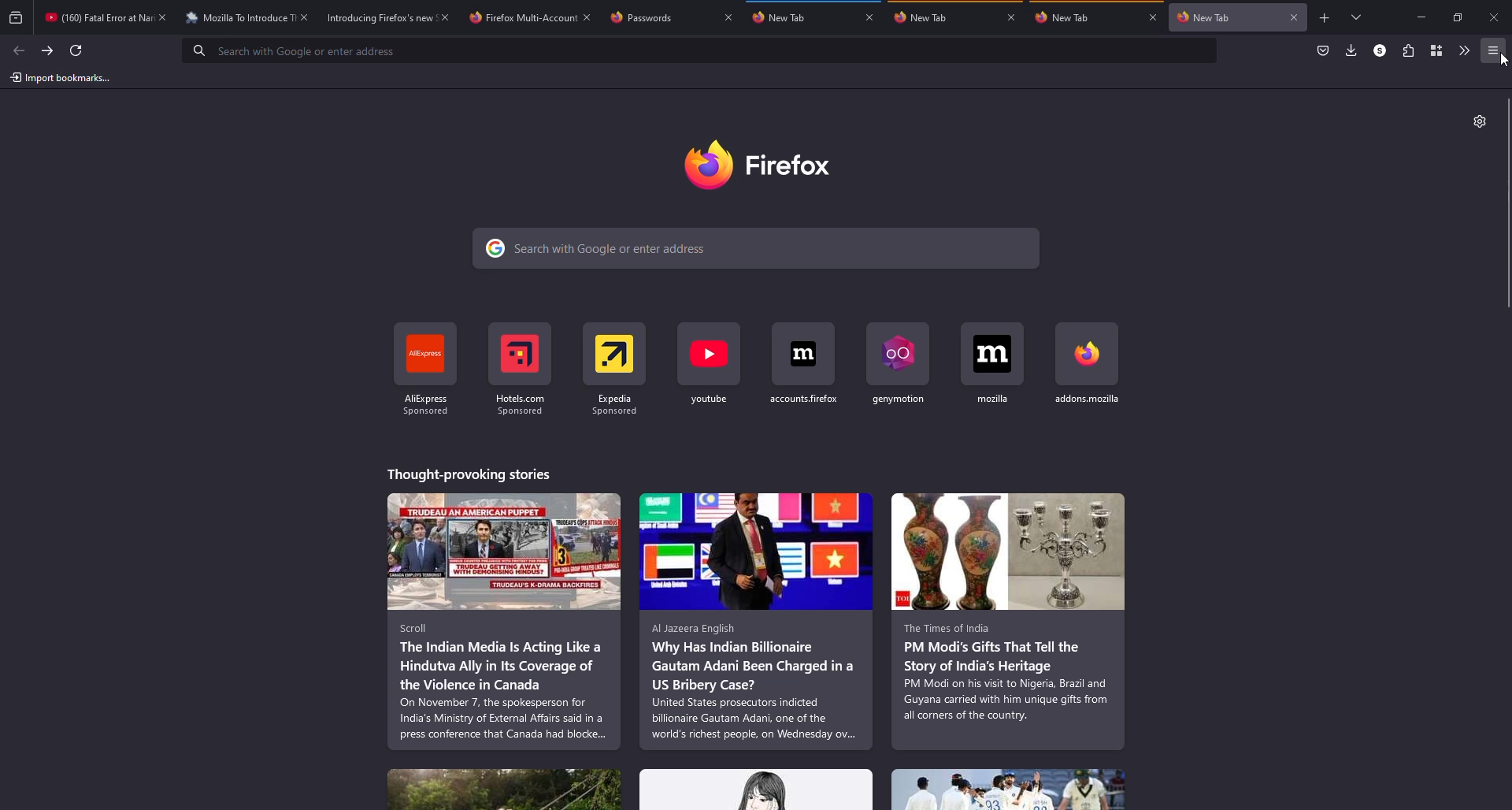 The image size is (1512, 810). Describe the element at coordinates (46, 50) in the screenshot. I see `forward` at that location.